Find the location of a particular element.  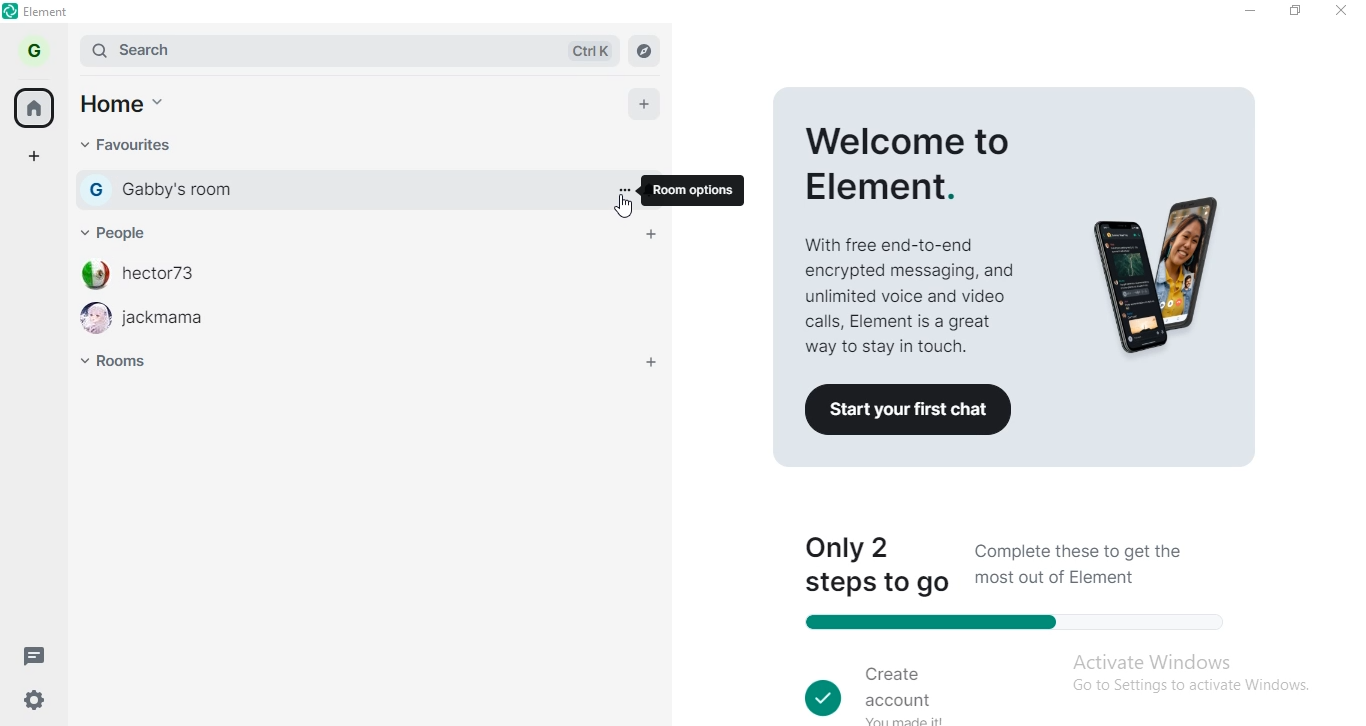

create account is located at coordinates (894, 686).